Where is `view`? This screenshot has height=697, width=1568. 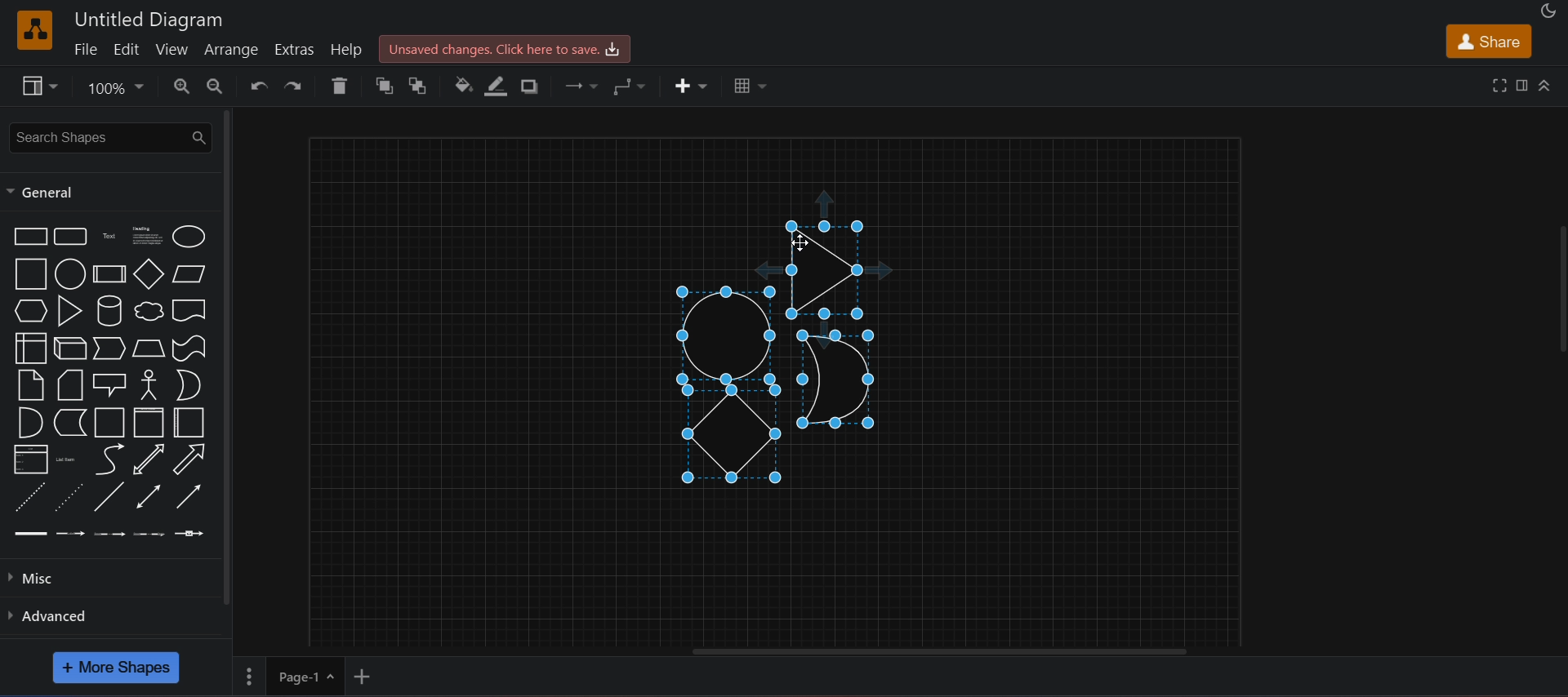
view is located at coordinates (173, 50).